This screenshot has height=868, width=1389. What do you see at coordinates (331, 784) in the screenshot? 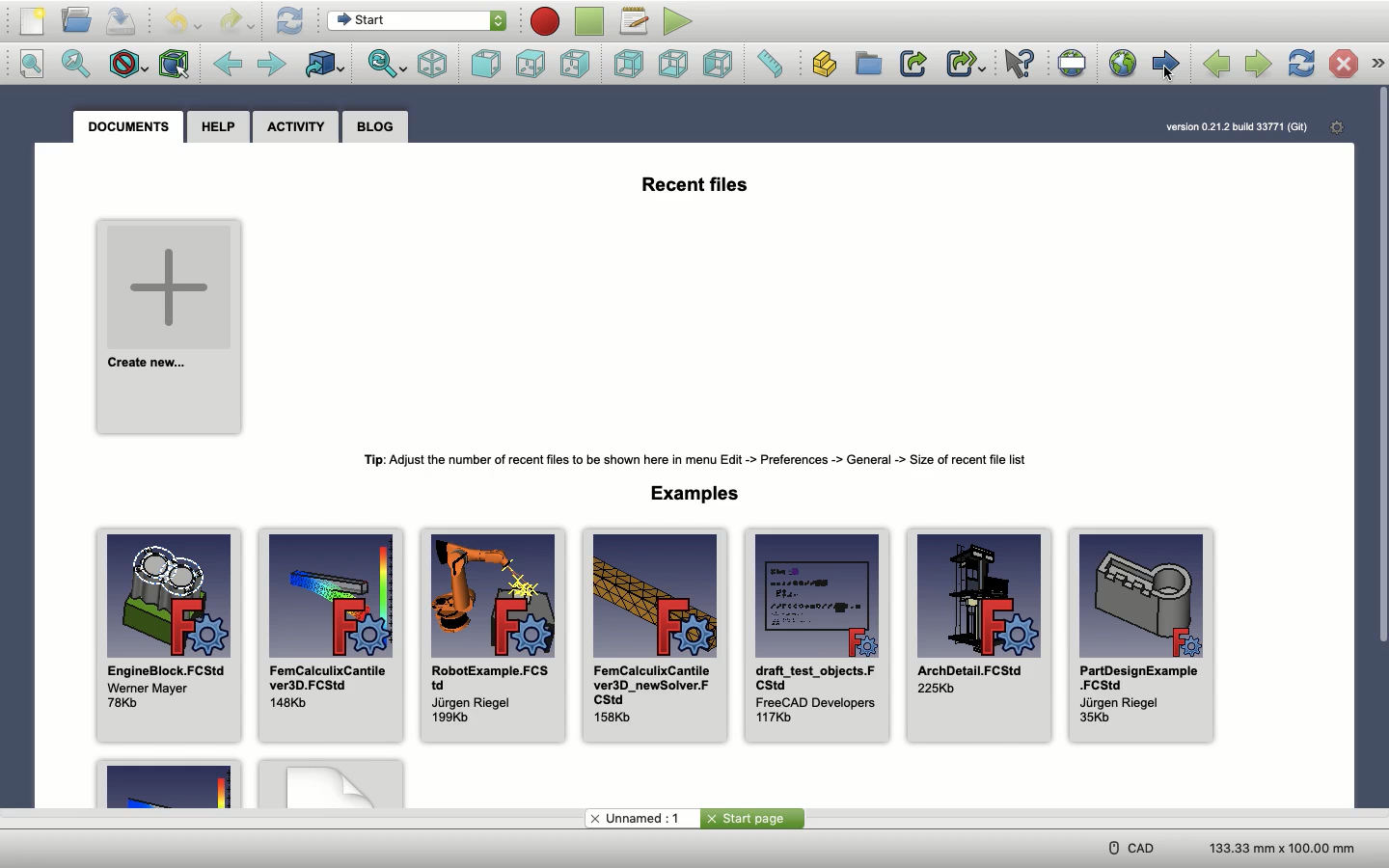
I see `Example` at bounding box center [331, 784].